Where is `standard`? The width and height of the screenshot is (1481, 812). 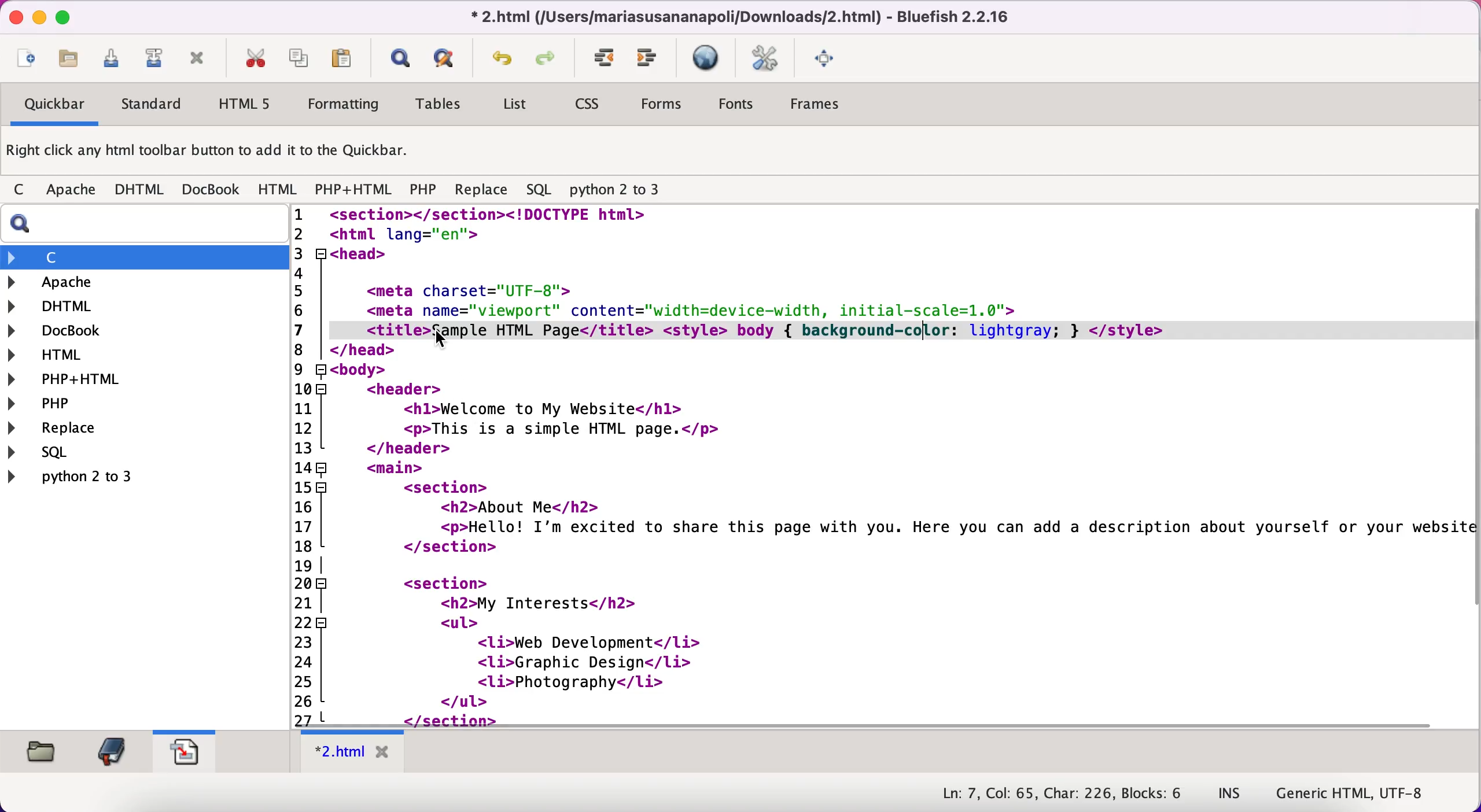 standard is located at coordinates (153, 106).